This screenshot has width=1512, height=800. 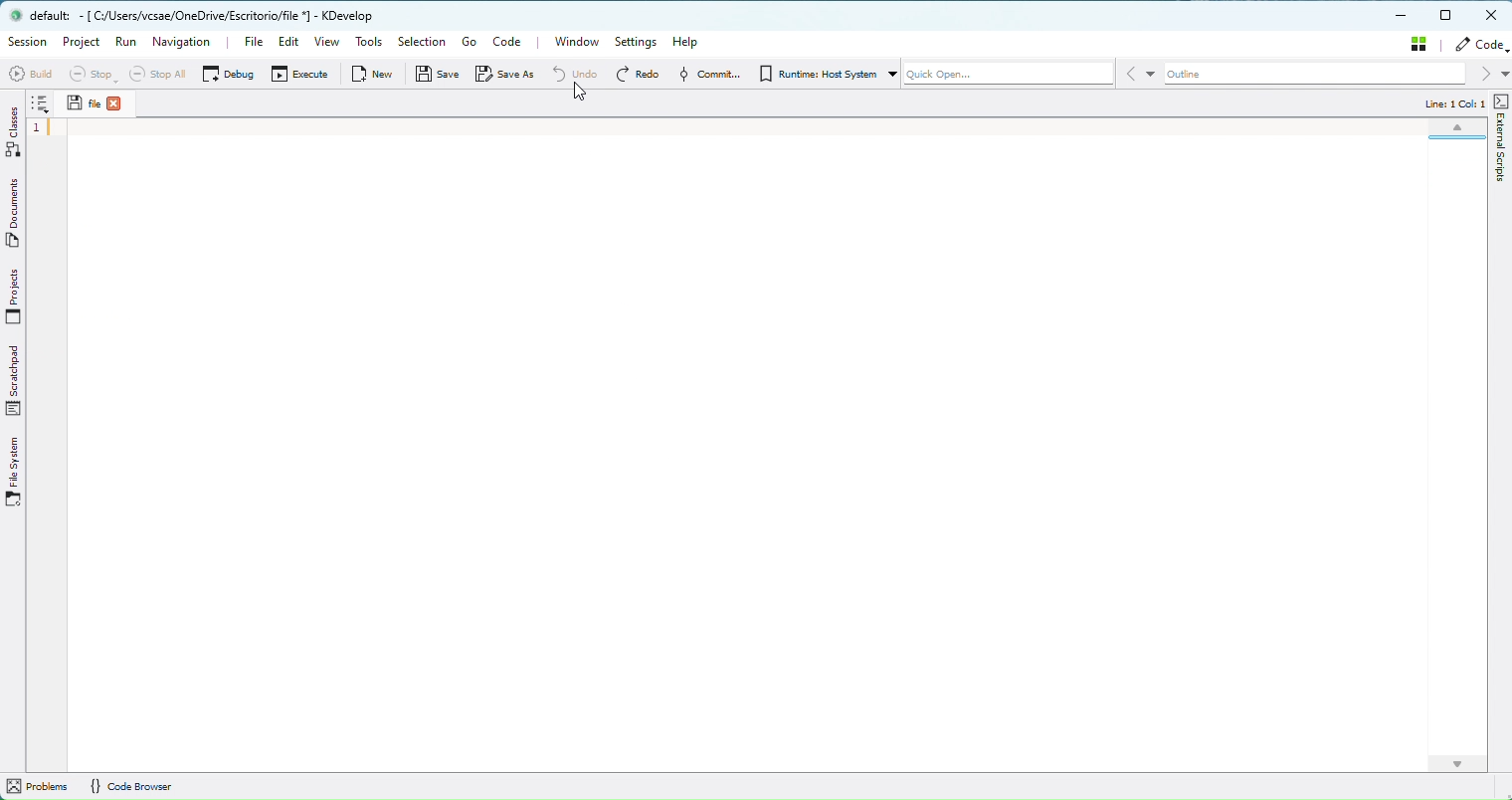 I want to click on RunTime, so click(x=820, y=76).